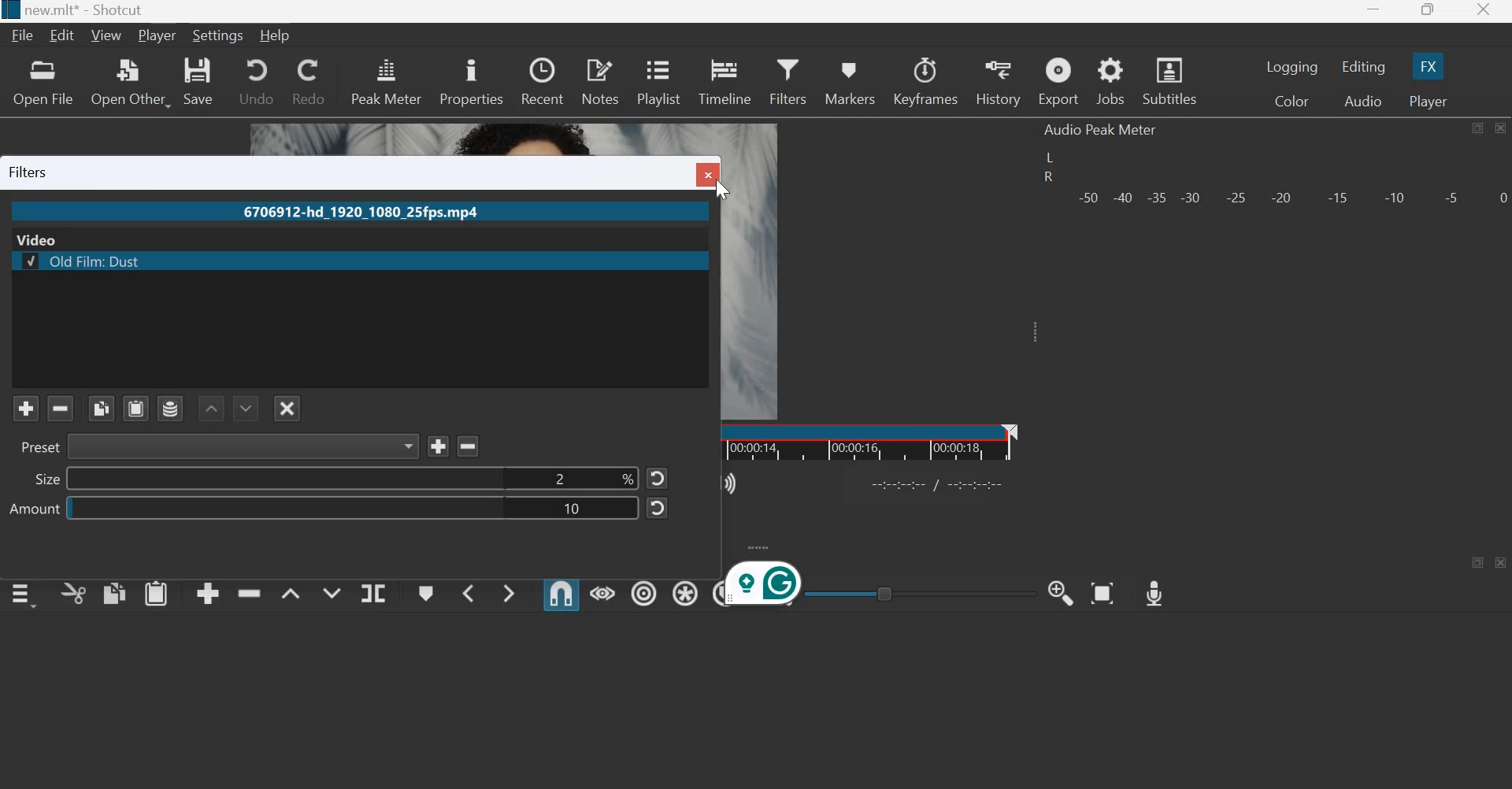 This screenshot has width=1512, height=789. What do you see at coordinates (561, 594) in the screenshot?
I see `Snap` at bounding box center [561, 594].